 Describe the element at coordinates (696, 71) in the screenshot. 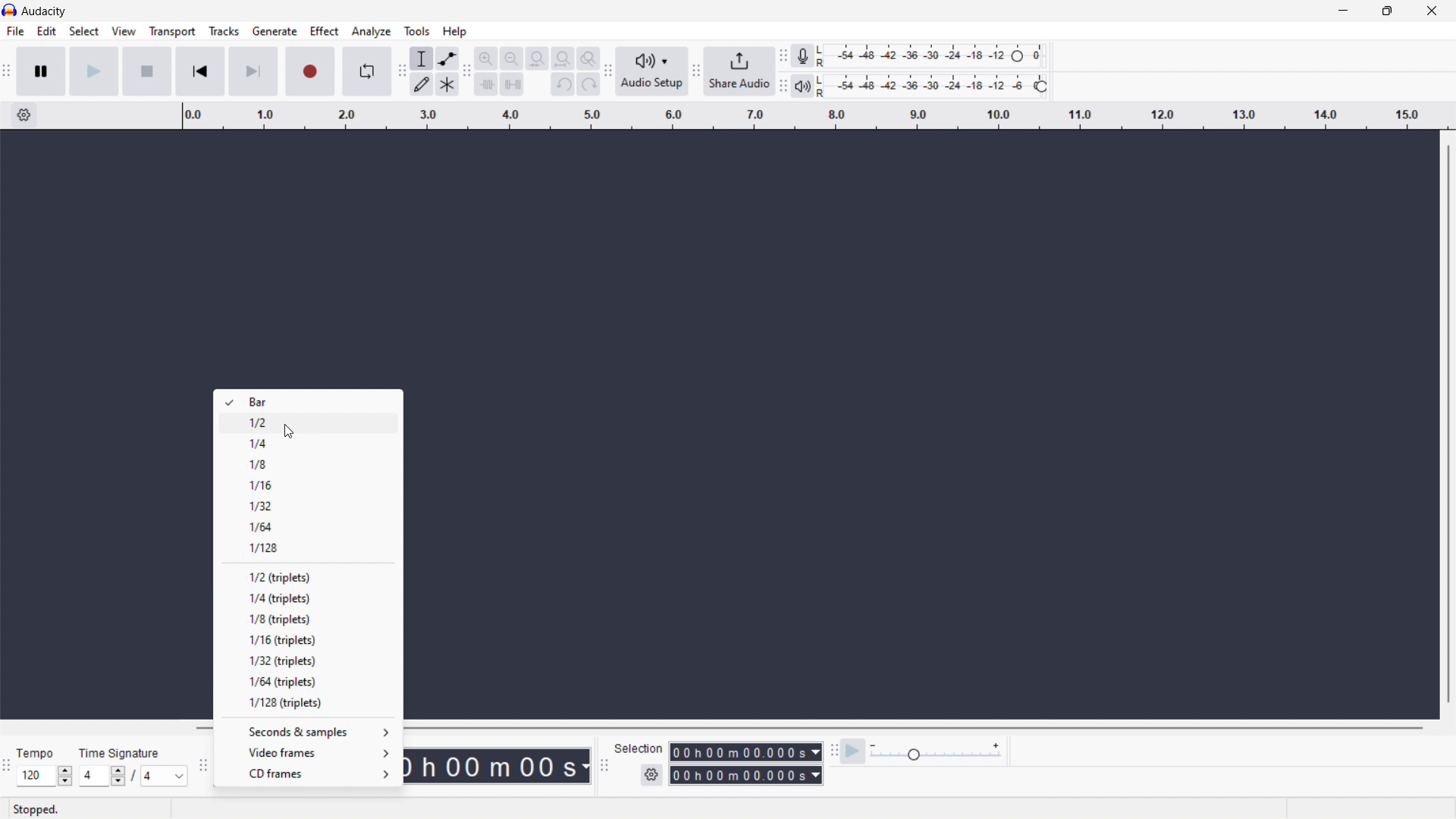

I see `share audio toolbar` at that location.